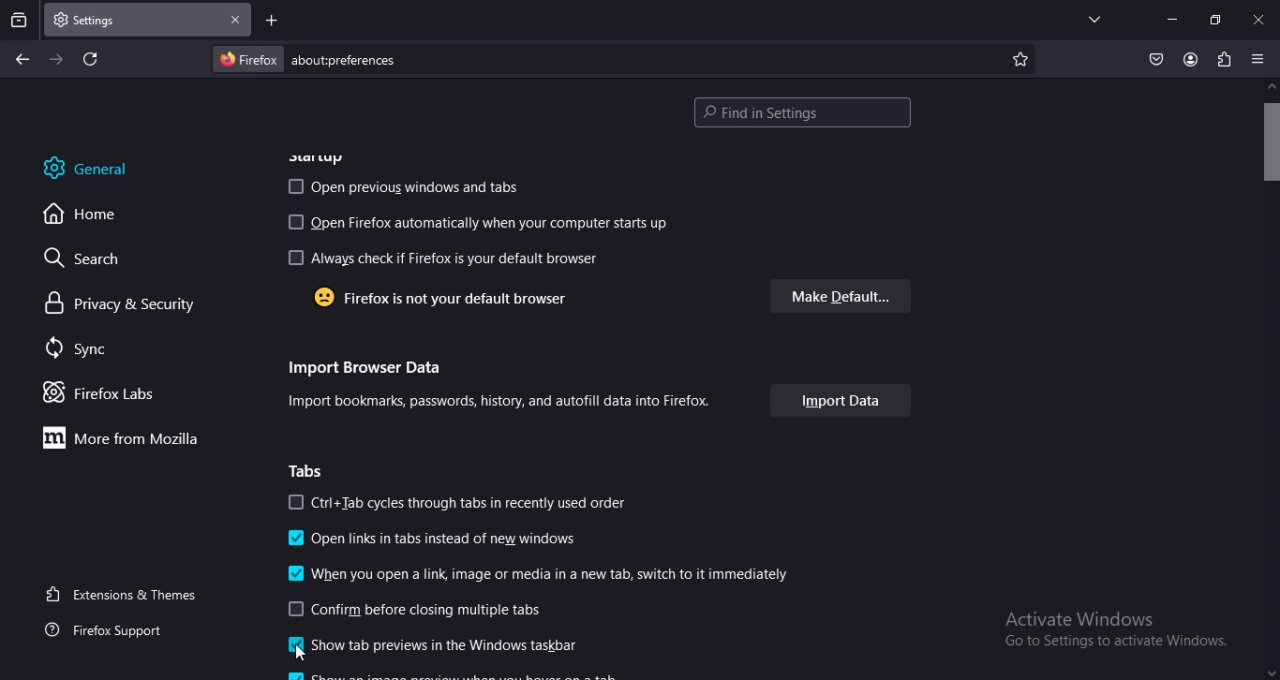 Image resolution: width=1280 pixels, height=680 pixels. I want to click on import data, so click(842, 402).